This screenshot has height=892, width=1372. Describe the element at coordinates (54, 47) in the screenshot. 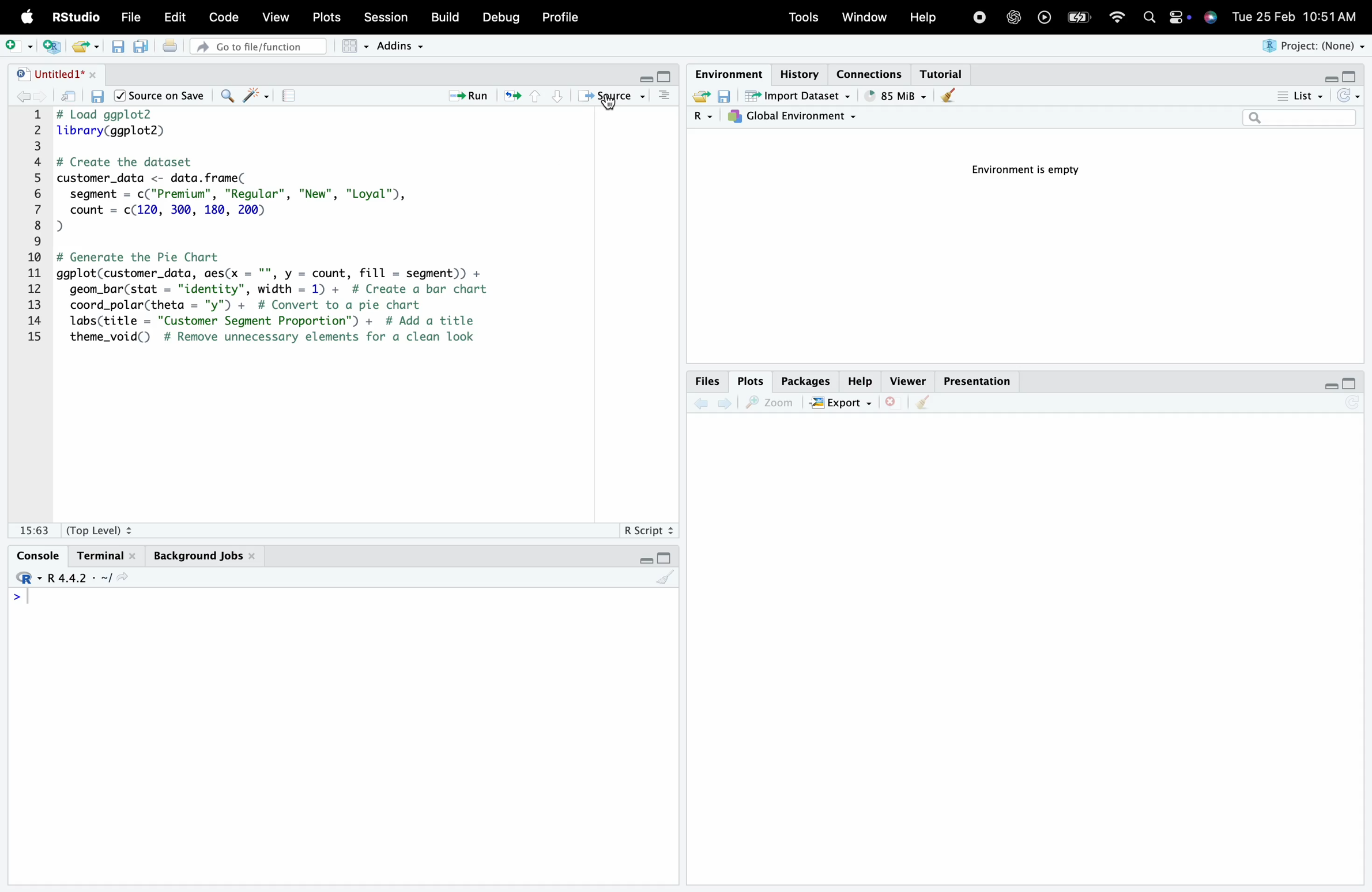

I see `new script` at that location.